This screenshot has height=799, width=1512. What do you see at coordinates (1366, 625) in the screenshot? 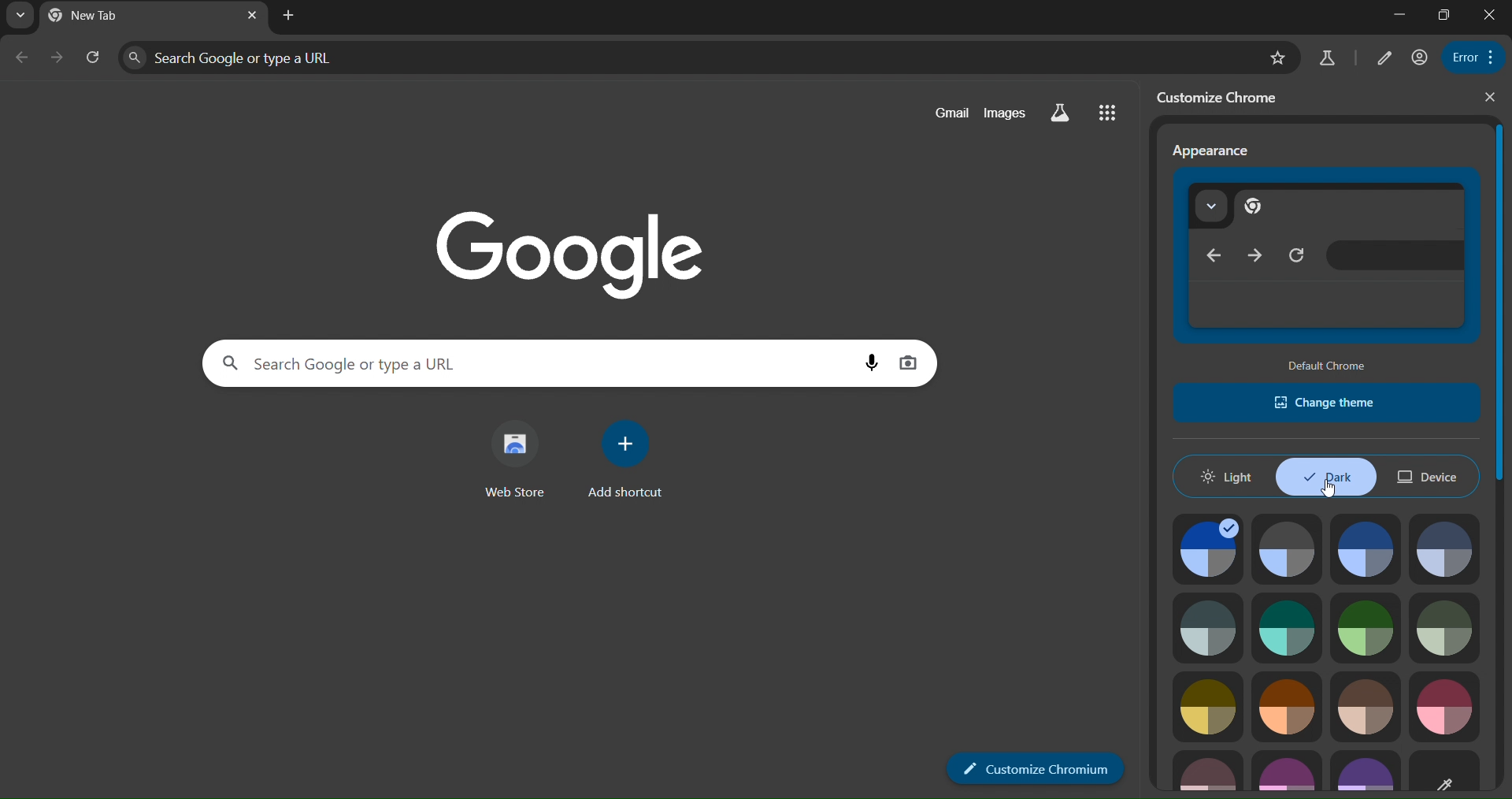
I see `theme icon` at bounding box center [1366, 625].